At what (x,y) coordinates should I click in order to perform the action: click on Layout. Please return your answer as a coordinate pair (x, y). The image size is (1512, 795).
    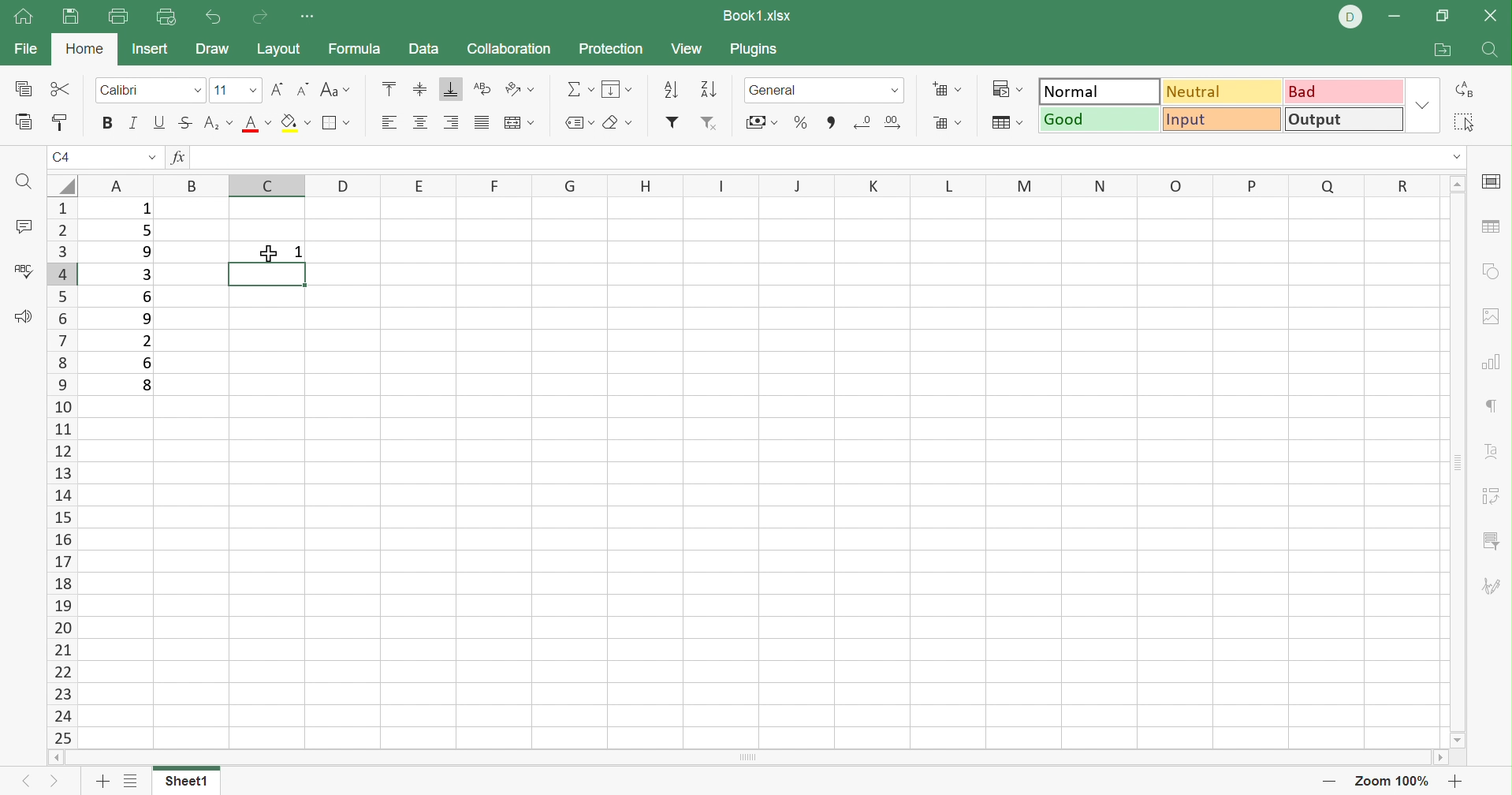
    Looking at the image, I should click on (279, 47).